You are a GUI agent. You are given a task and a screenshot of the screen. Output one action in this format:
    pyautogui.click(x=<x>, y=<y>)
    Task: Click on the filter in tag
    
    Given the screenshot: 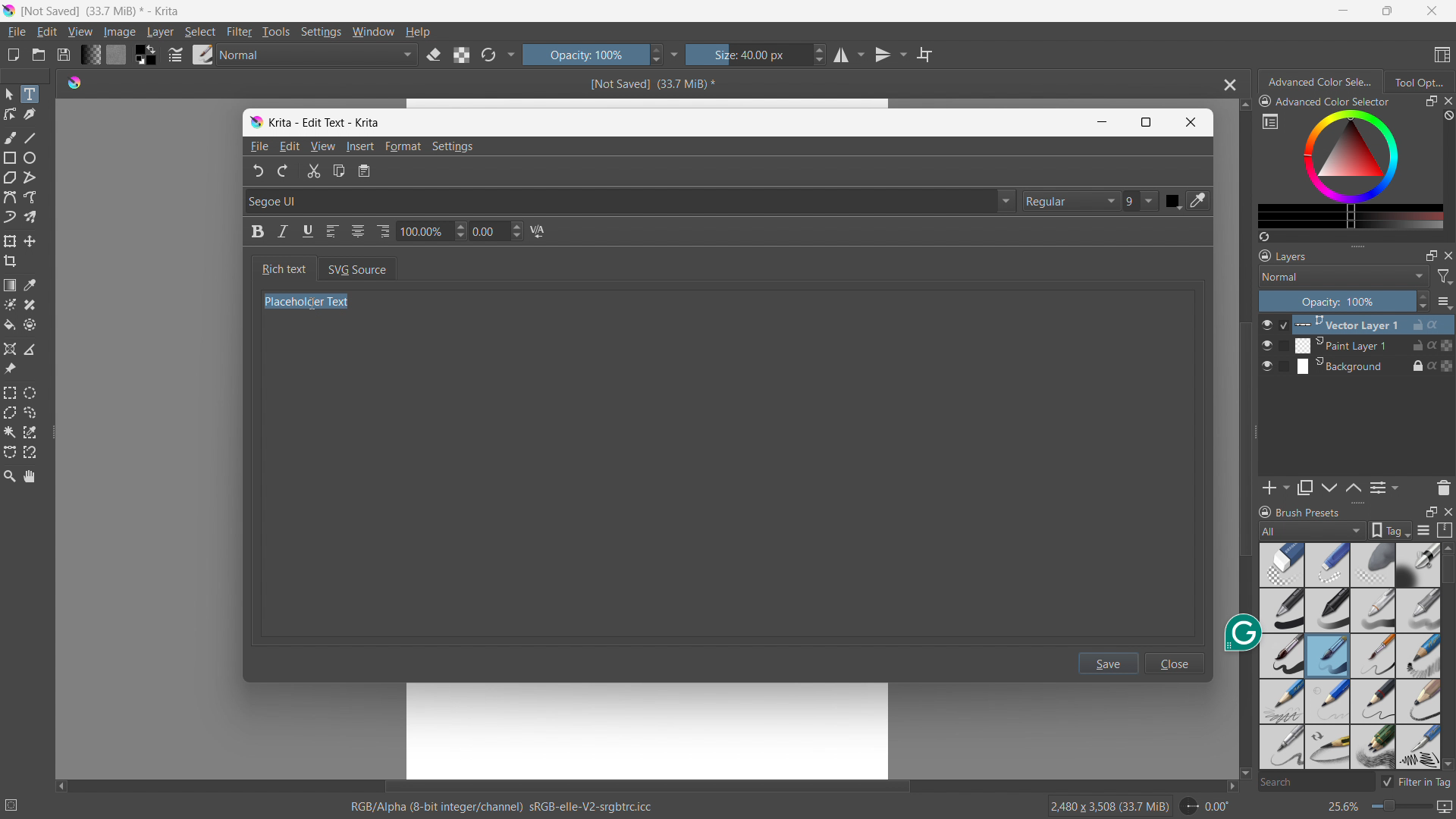 What is the action you would take?
    pyautogui.click(x=1416, y=780)
    